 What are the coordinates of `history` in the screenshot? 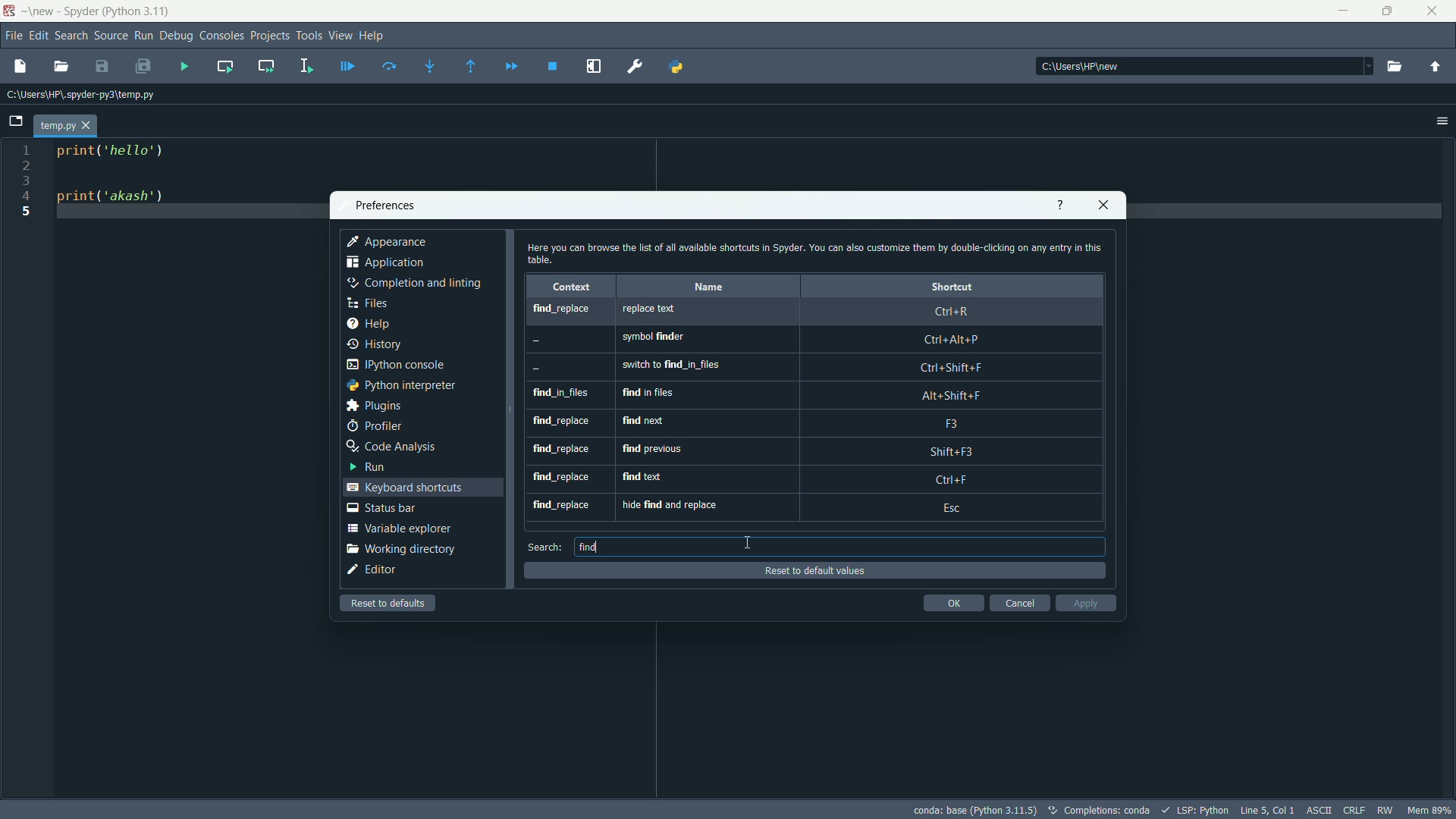 It's located at (376, 345).